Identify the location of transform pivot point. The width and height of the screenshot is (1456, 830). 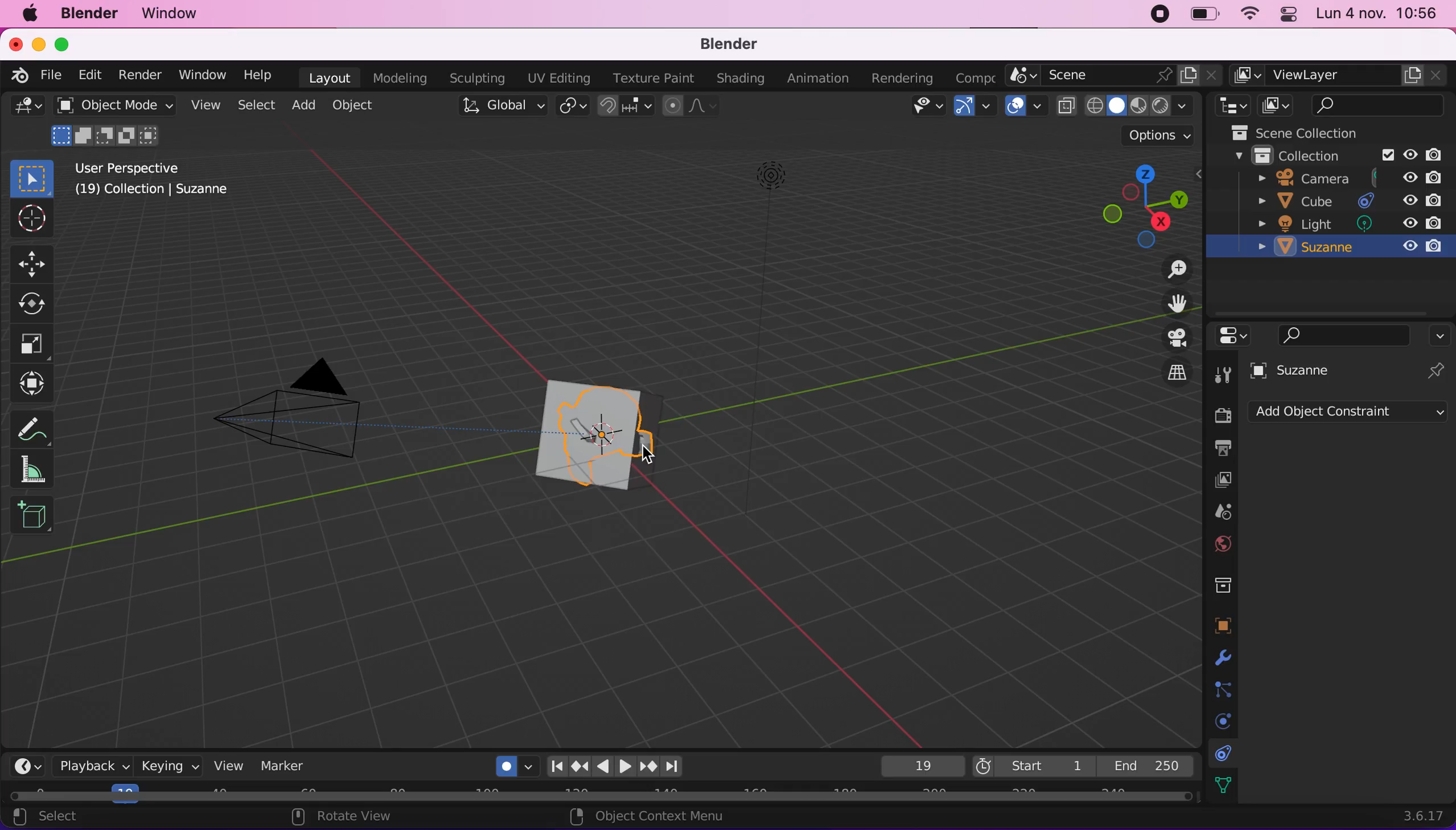
(570, 105).